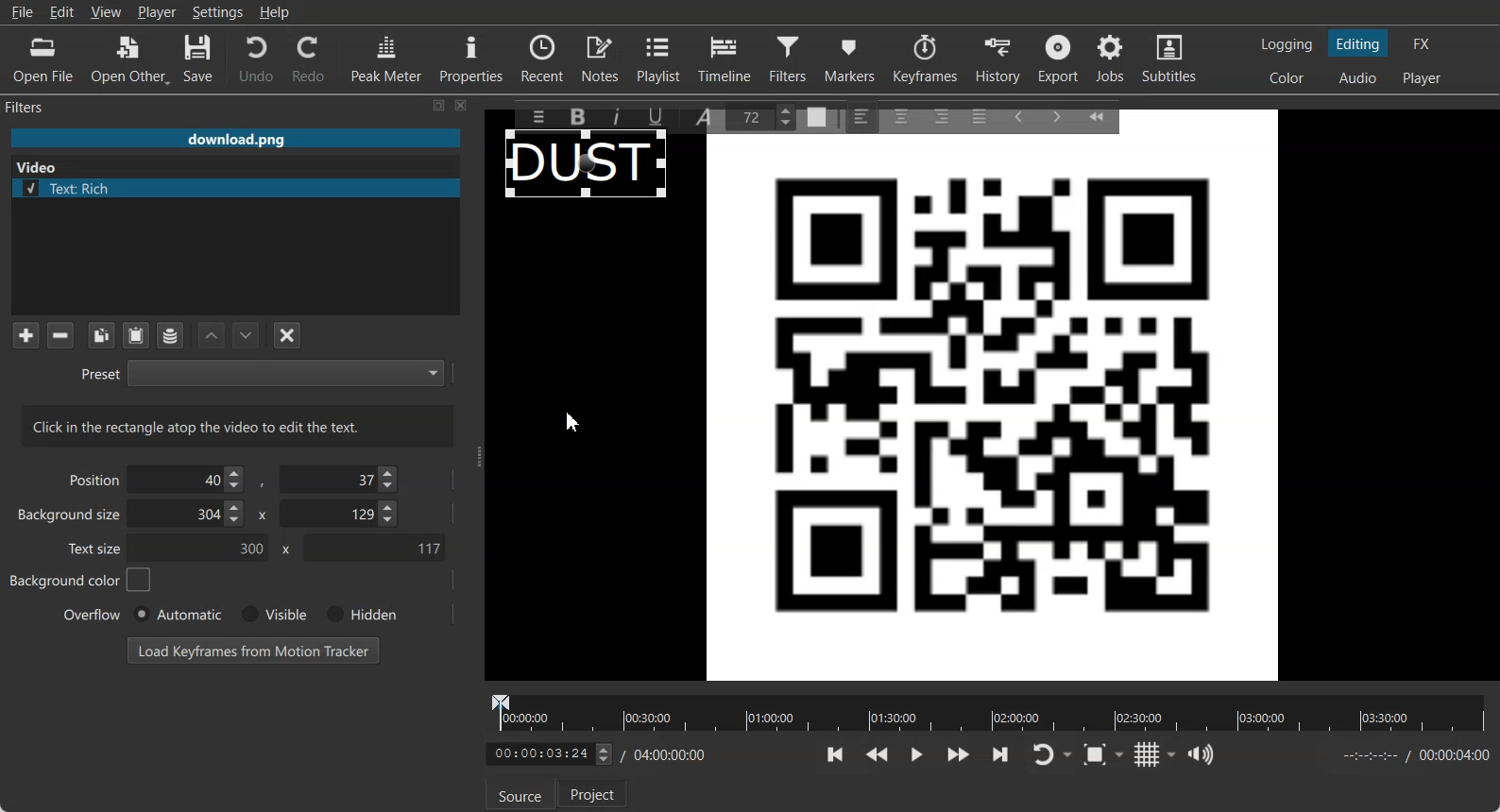  Describe the element at coordinates (91, 479) in the screenshot. I see `Position` at that location.